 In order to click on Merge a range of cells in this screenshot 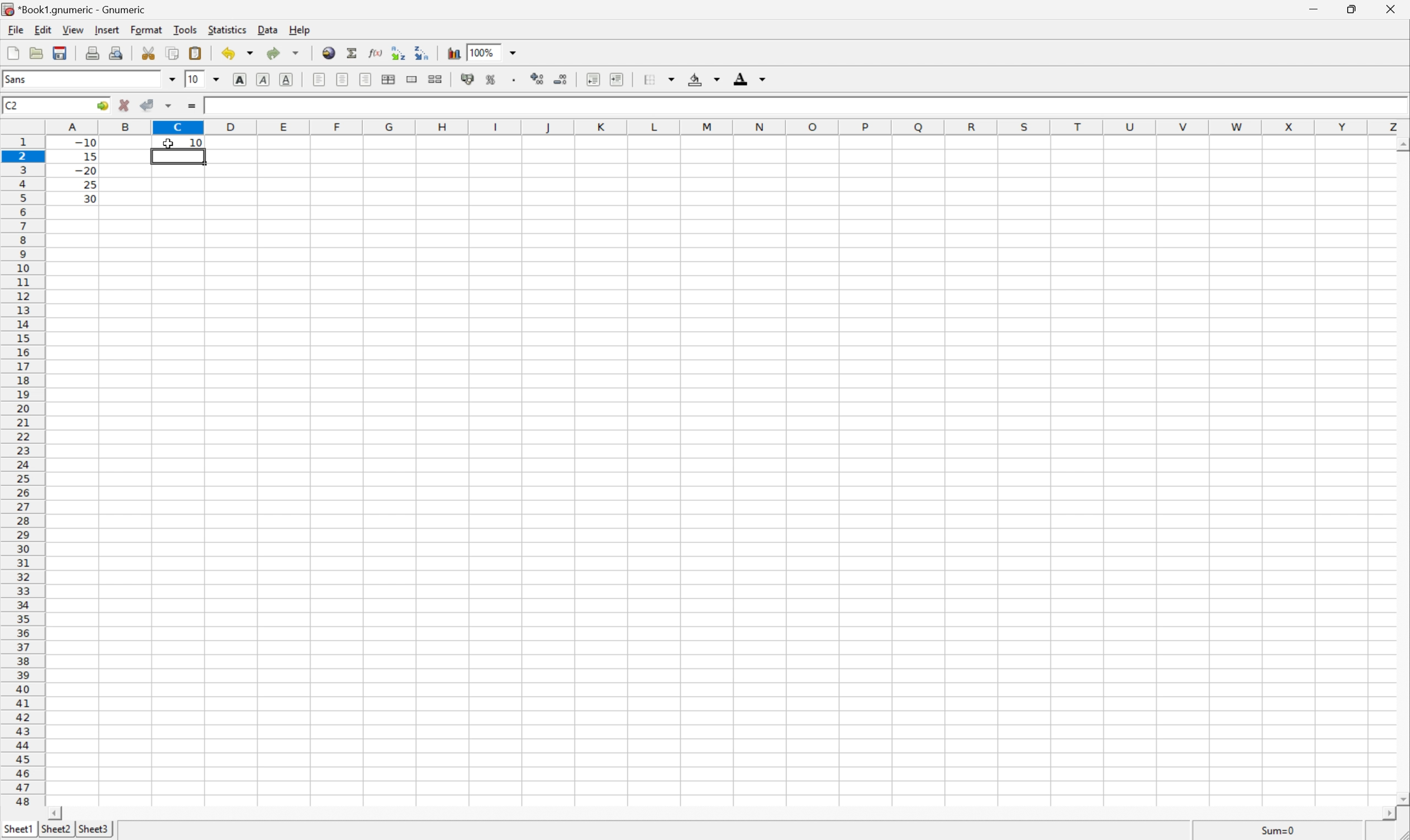, I will do `click(413, 79)`.